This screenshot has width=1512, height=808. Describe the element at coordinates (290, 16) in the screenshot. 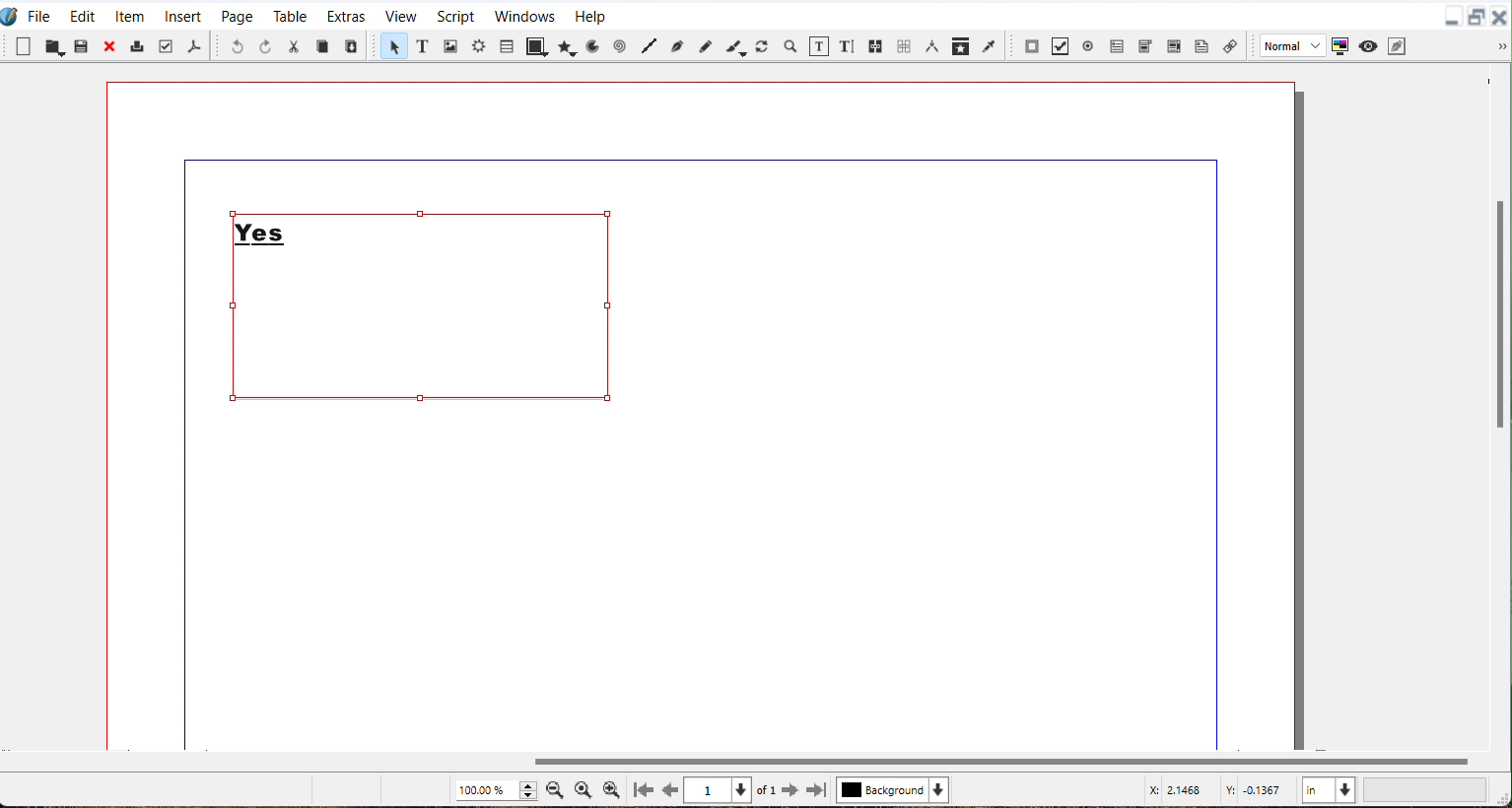

I see `Table` at that location.